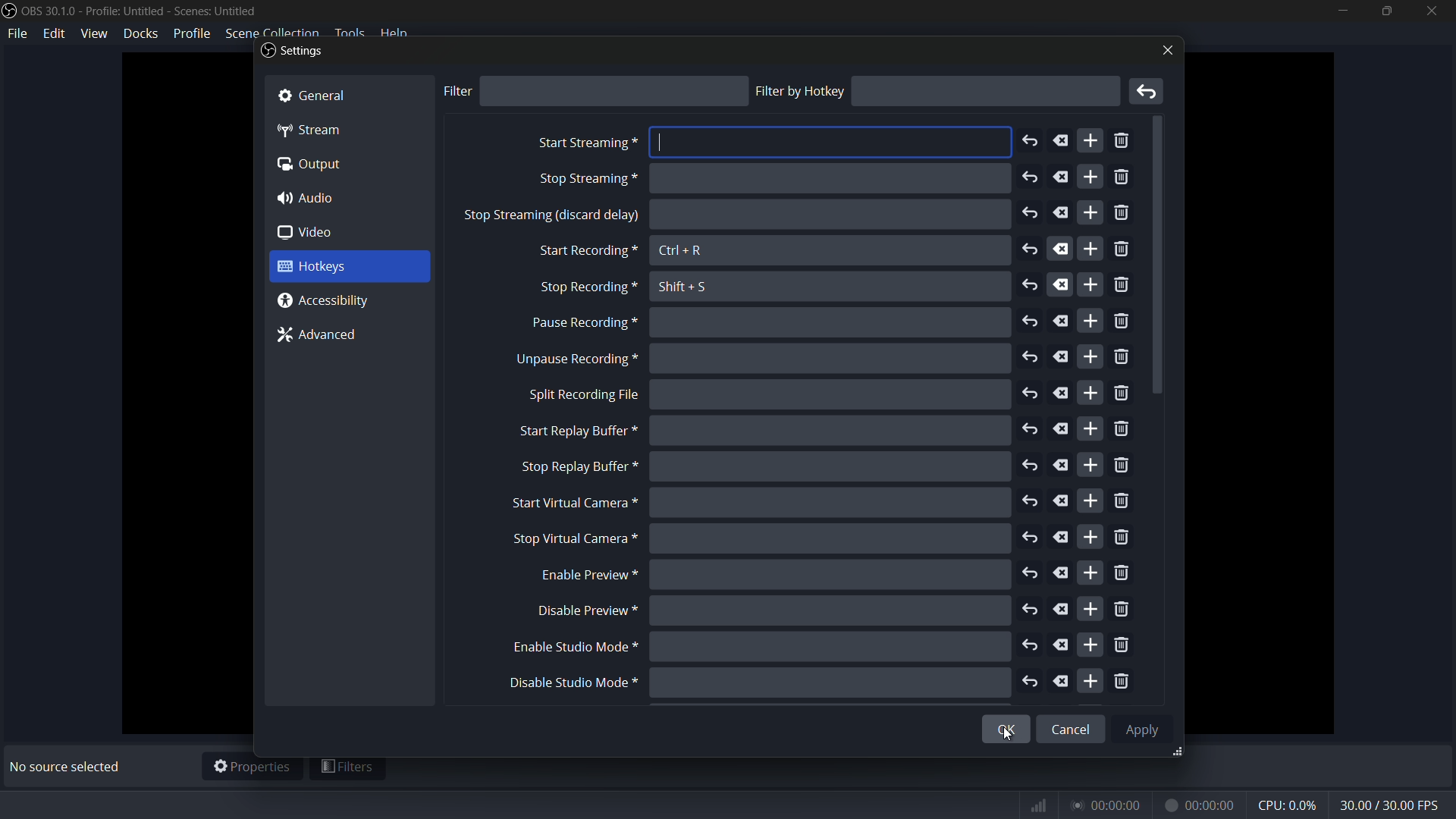 The height and width of the screenshot is (819, 1456). What do you see at coordinates (1090, 465) in the screenshot?
I see `add more` at bounding box center [1090, 465].